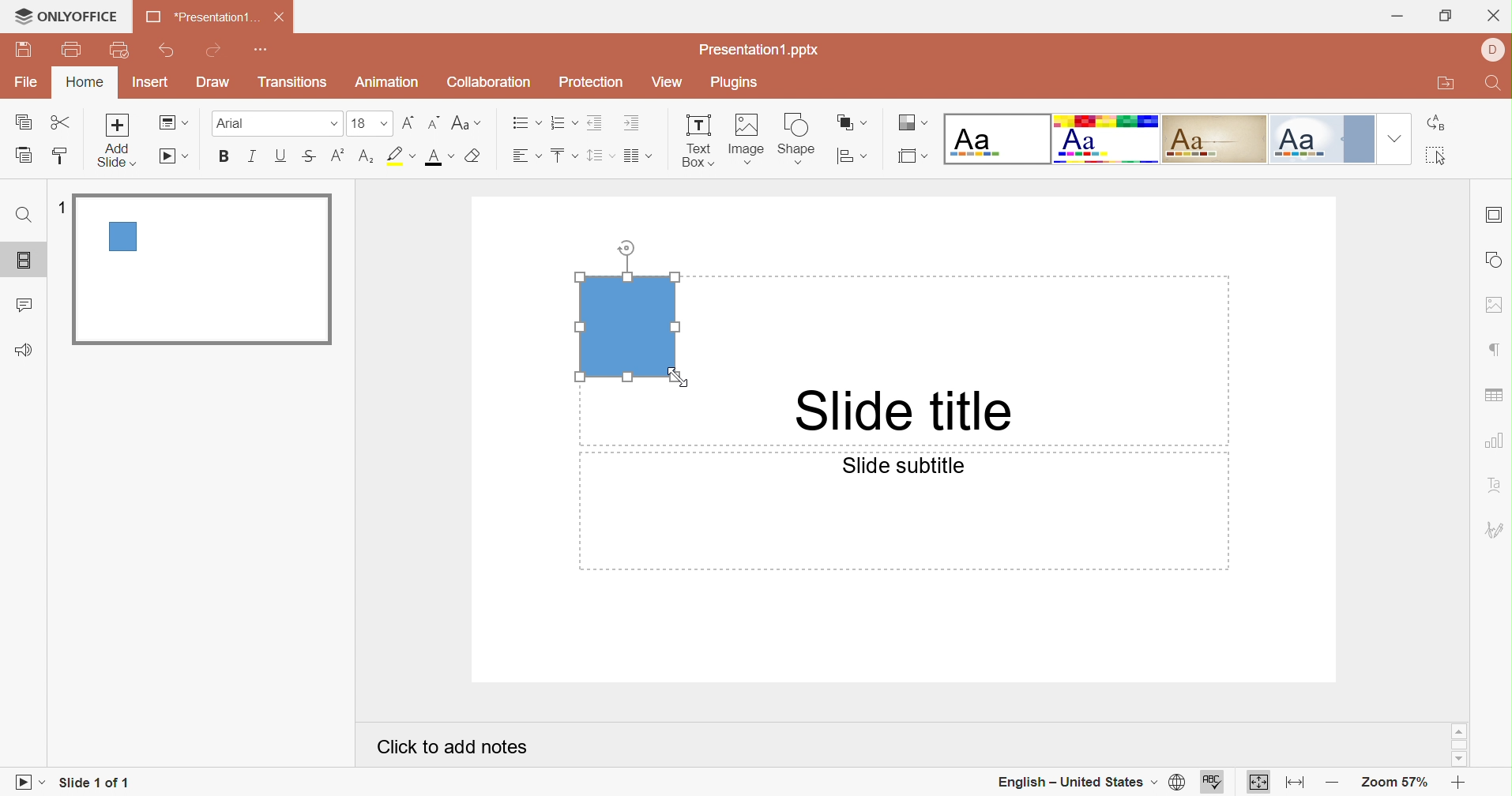 The width and height of the screenshot is (1512, 796). Describe the element at coordinates (22, 216) in the screenshot. I see `Find` at that location.